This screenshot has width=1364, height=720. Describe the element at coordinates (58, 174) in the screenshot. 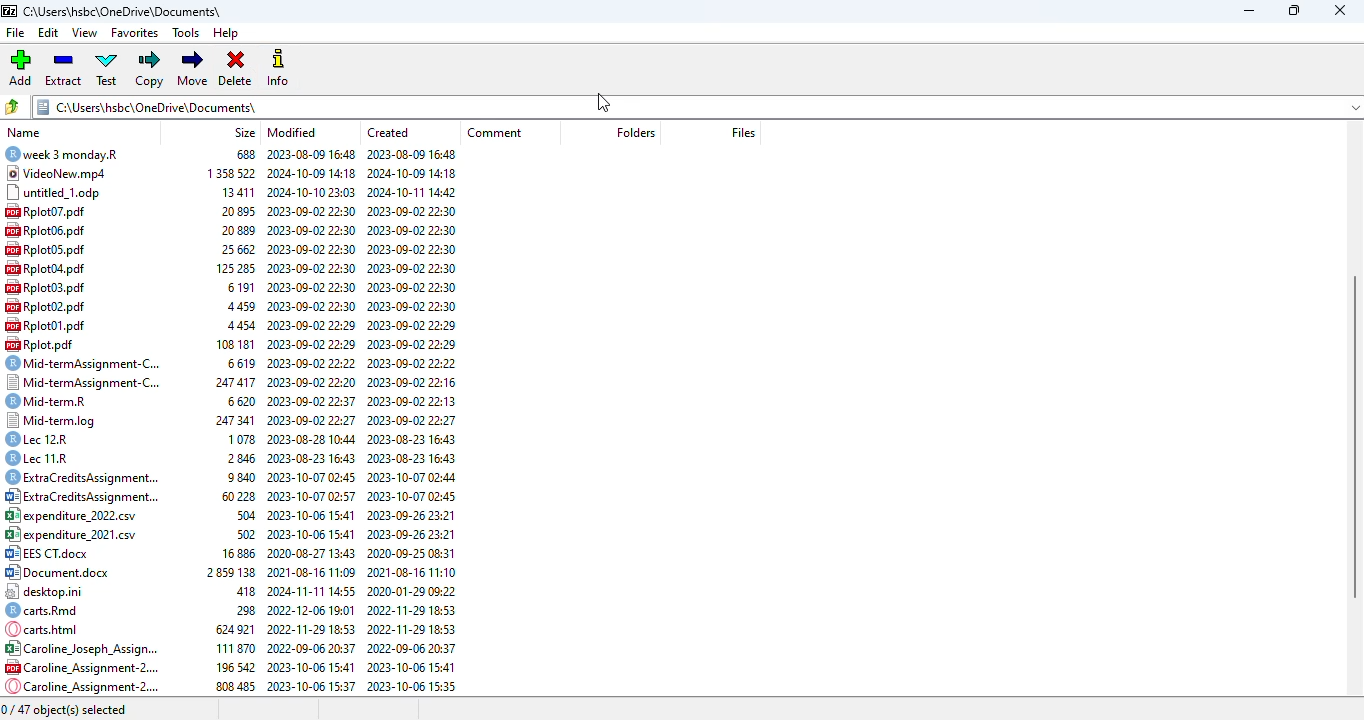

I see `videoNew.mpd` at that location.